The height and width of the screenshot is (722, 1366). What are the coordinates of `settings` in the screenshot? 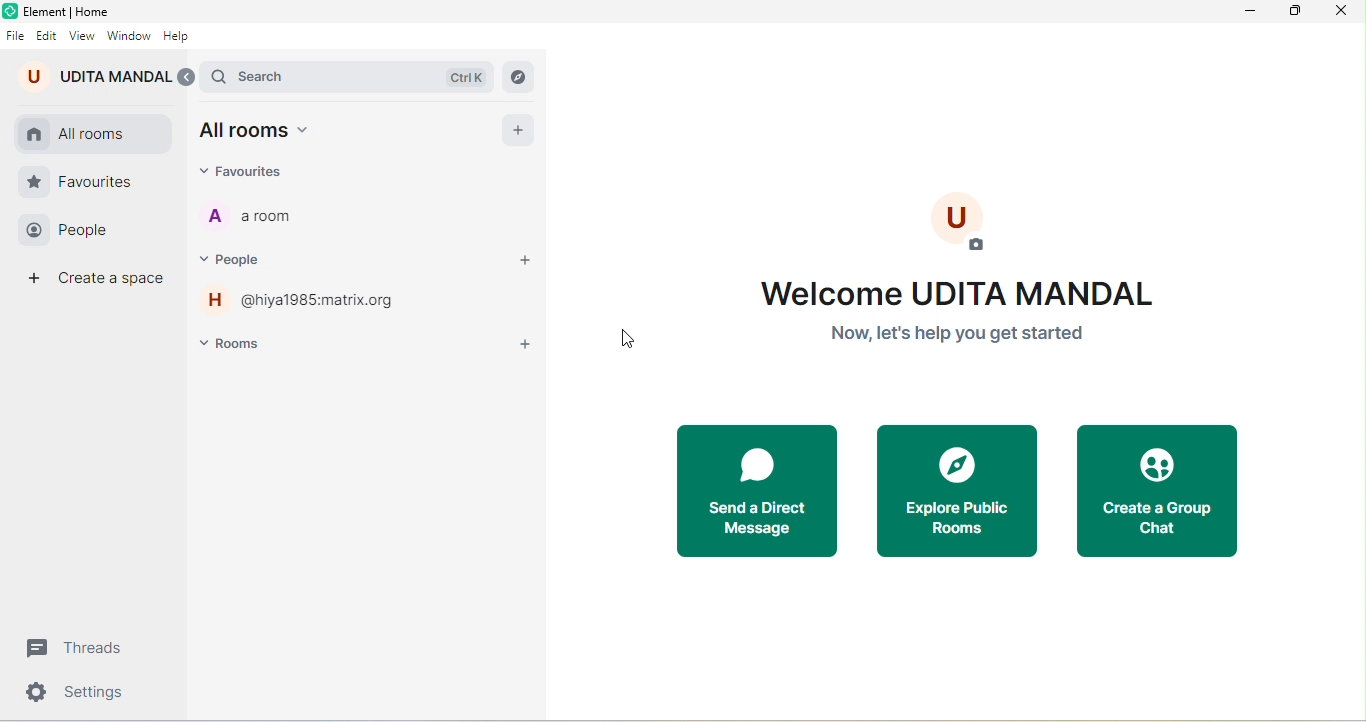 It's located at (81, 695).